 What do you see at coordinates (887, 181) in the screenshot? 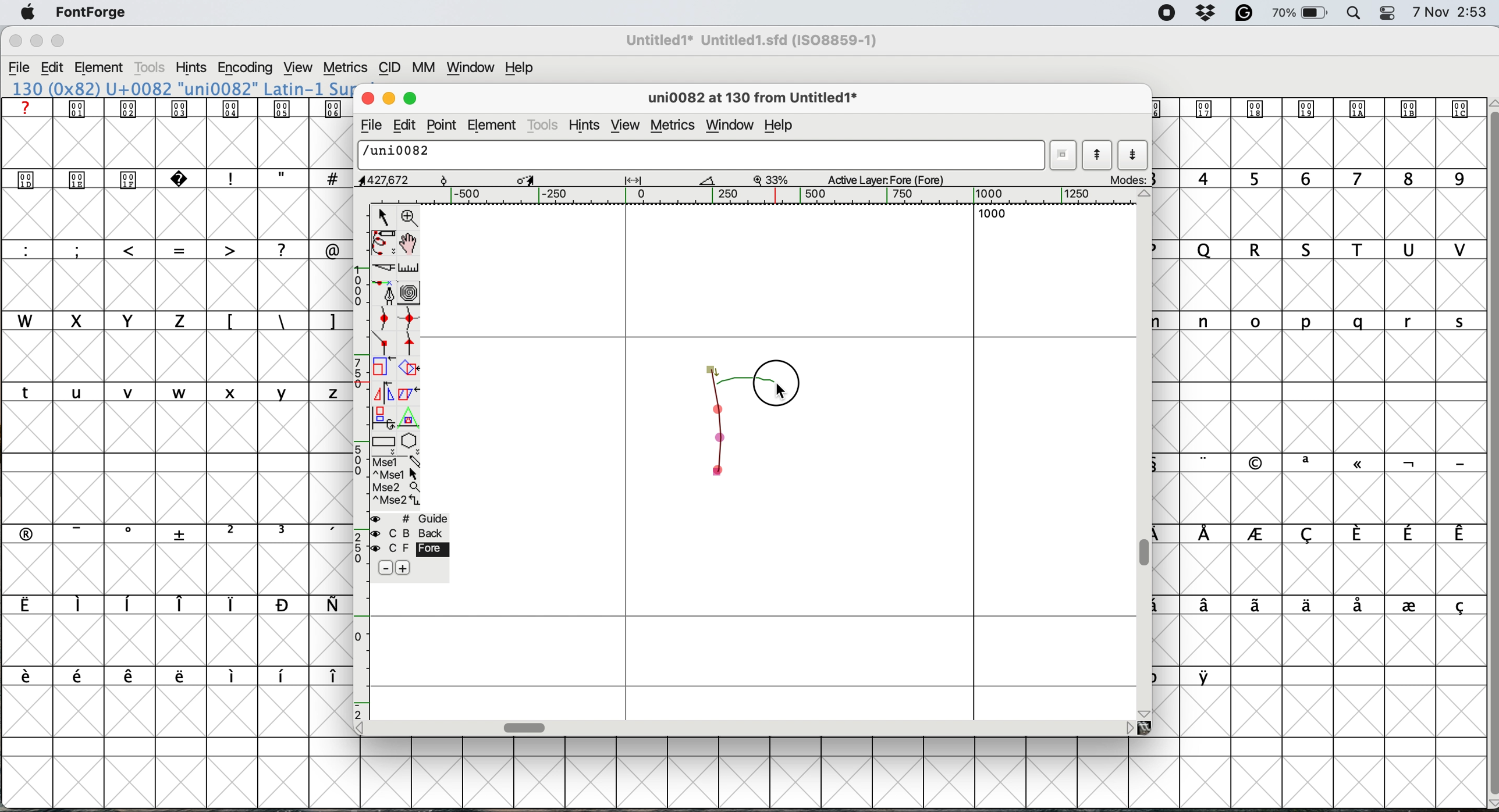
I see `active layers` at bounding box center [887, 181].